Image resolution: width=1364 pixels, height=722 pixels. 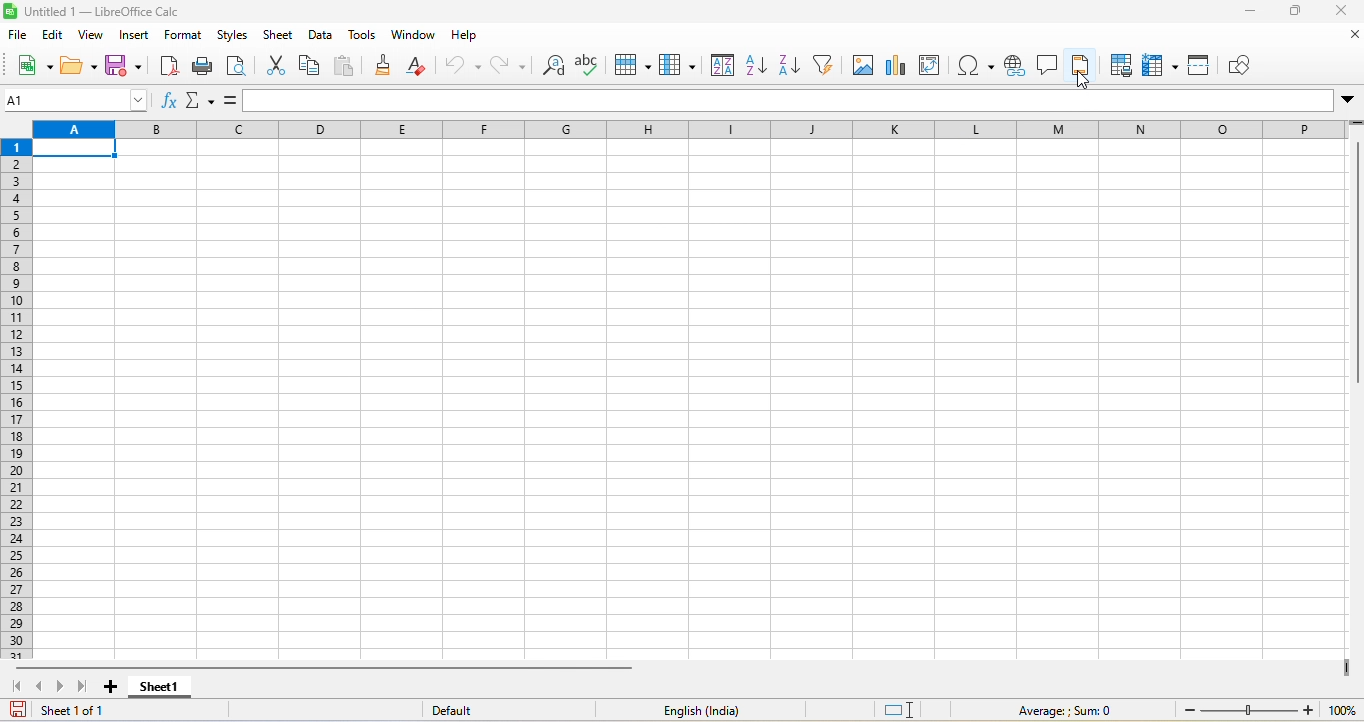 I want to click on find and replace, so click(x=550, y=67).